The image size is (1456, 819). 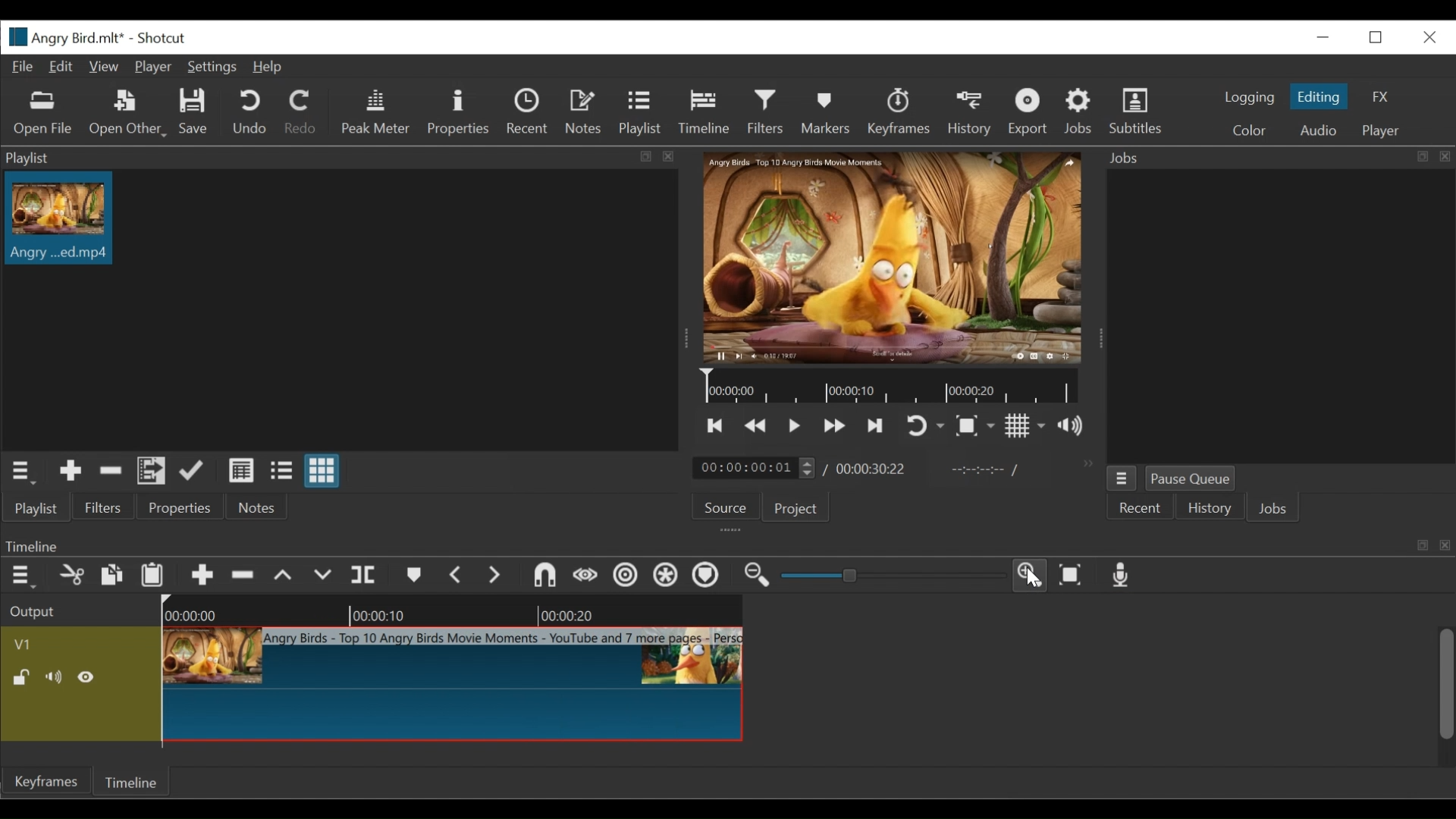 I want to click on History, so click(x=971, y=113).